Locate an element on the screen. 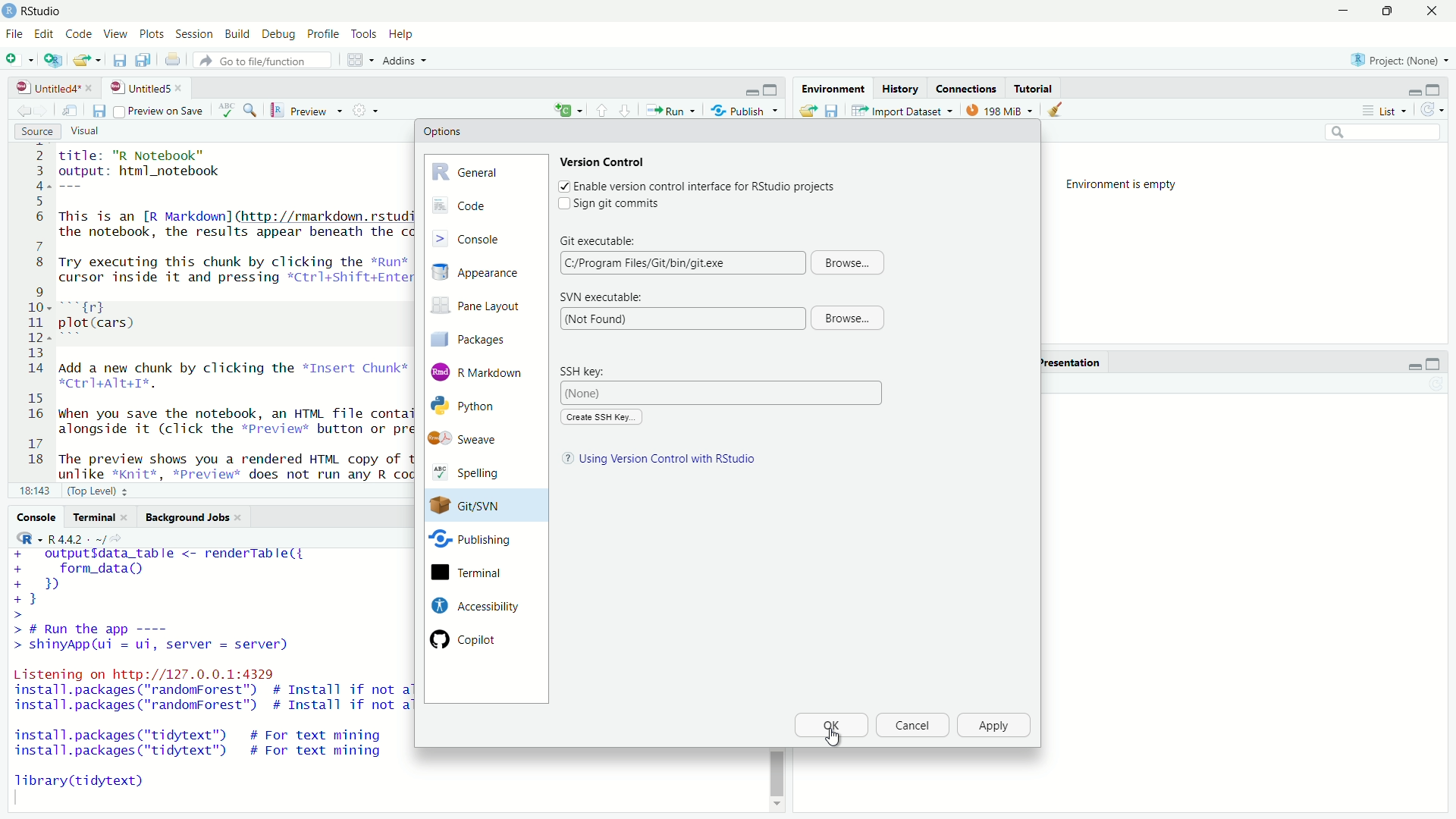 The width and height of the screenshot is (1456, 819). ? is located at coordinates (564, 460).